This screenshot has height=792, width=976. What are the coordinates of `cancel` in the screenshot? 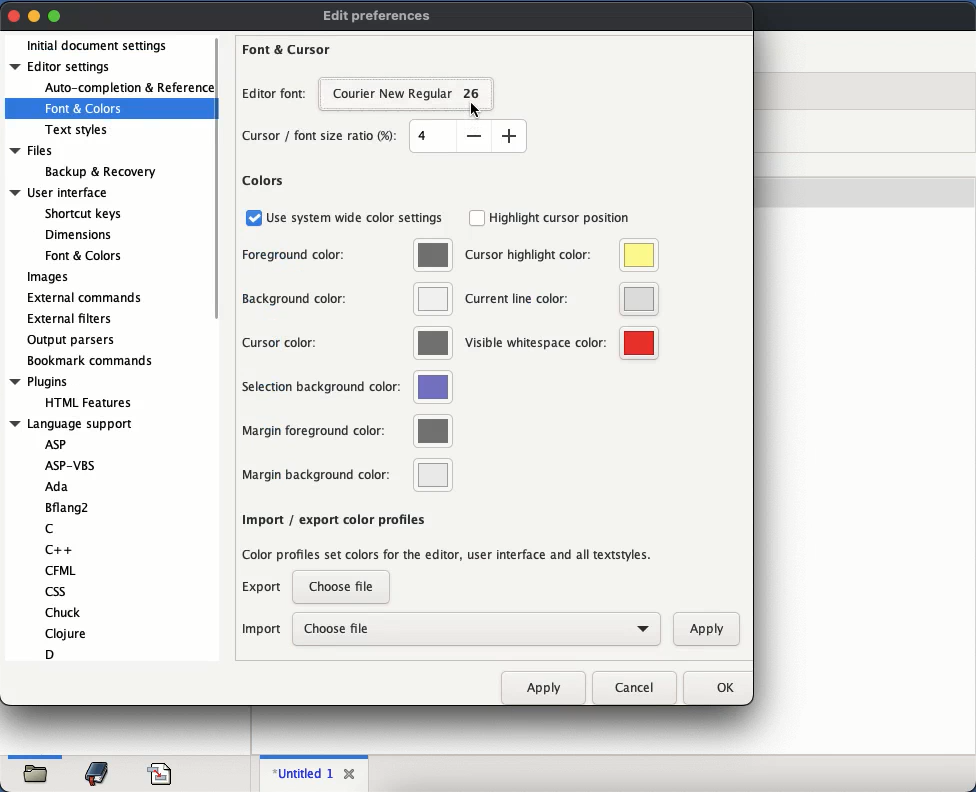 It's located at (638, 690).